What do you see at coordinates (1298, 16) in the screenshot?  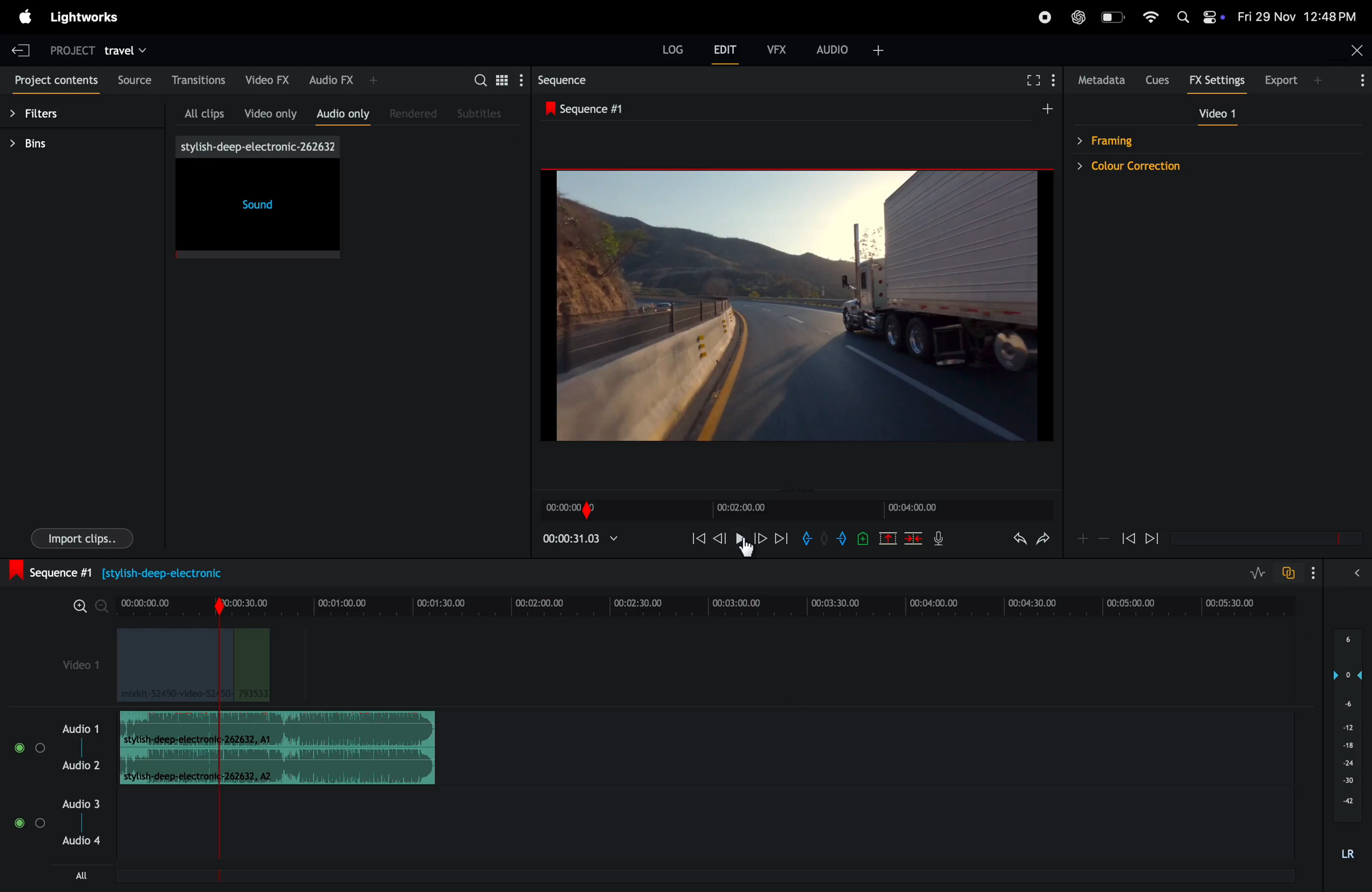 I see `date and time` at bounding box center [1298, 16].